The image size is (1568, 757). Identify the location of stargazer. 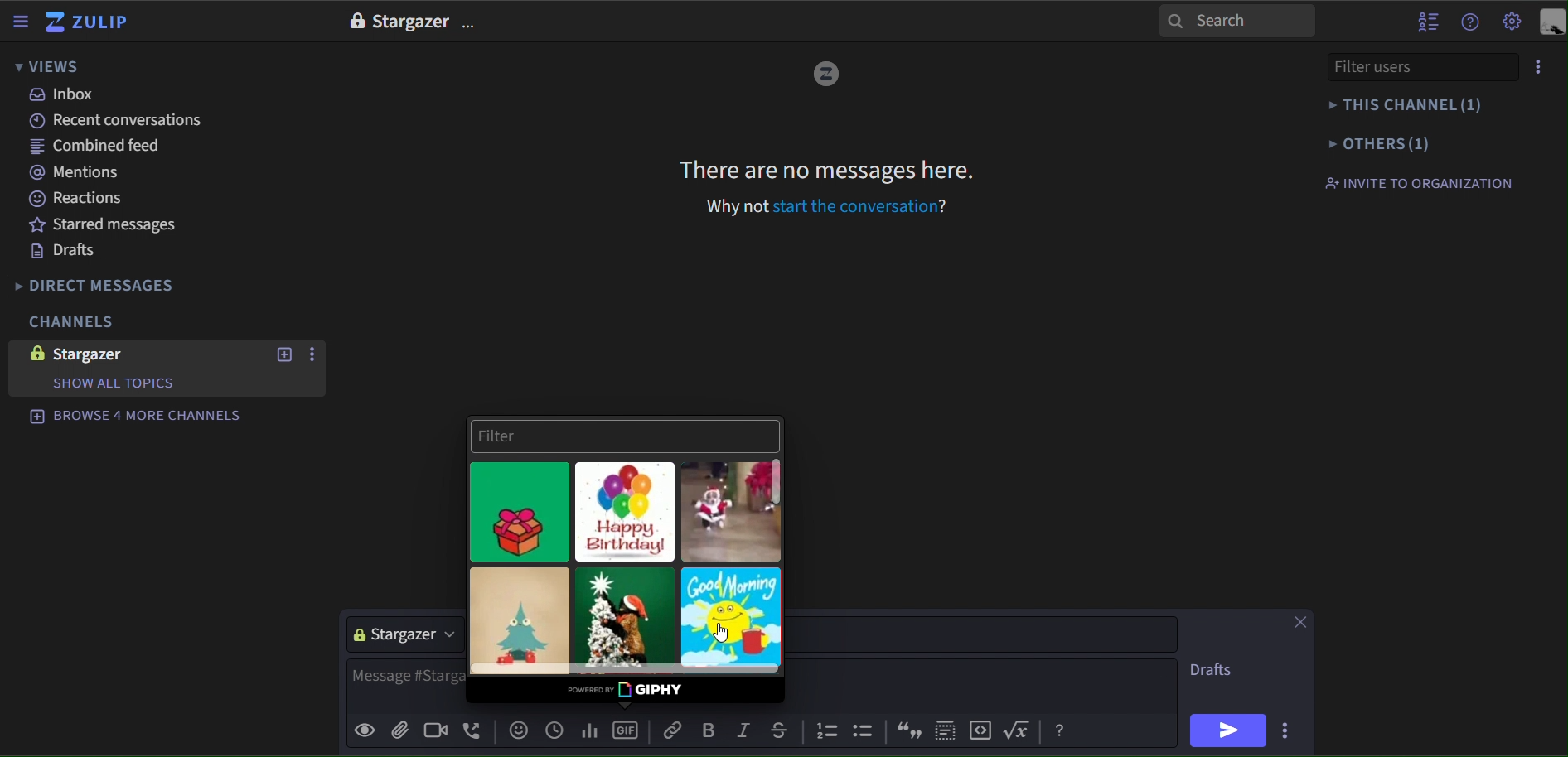
(105, 354).